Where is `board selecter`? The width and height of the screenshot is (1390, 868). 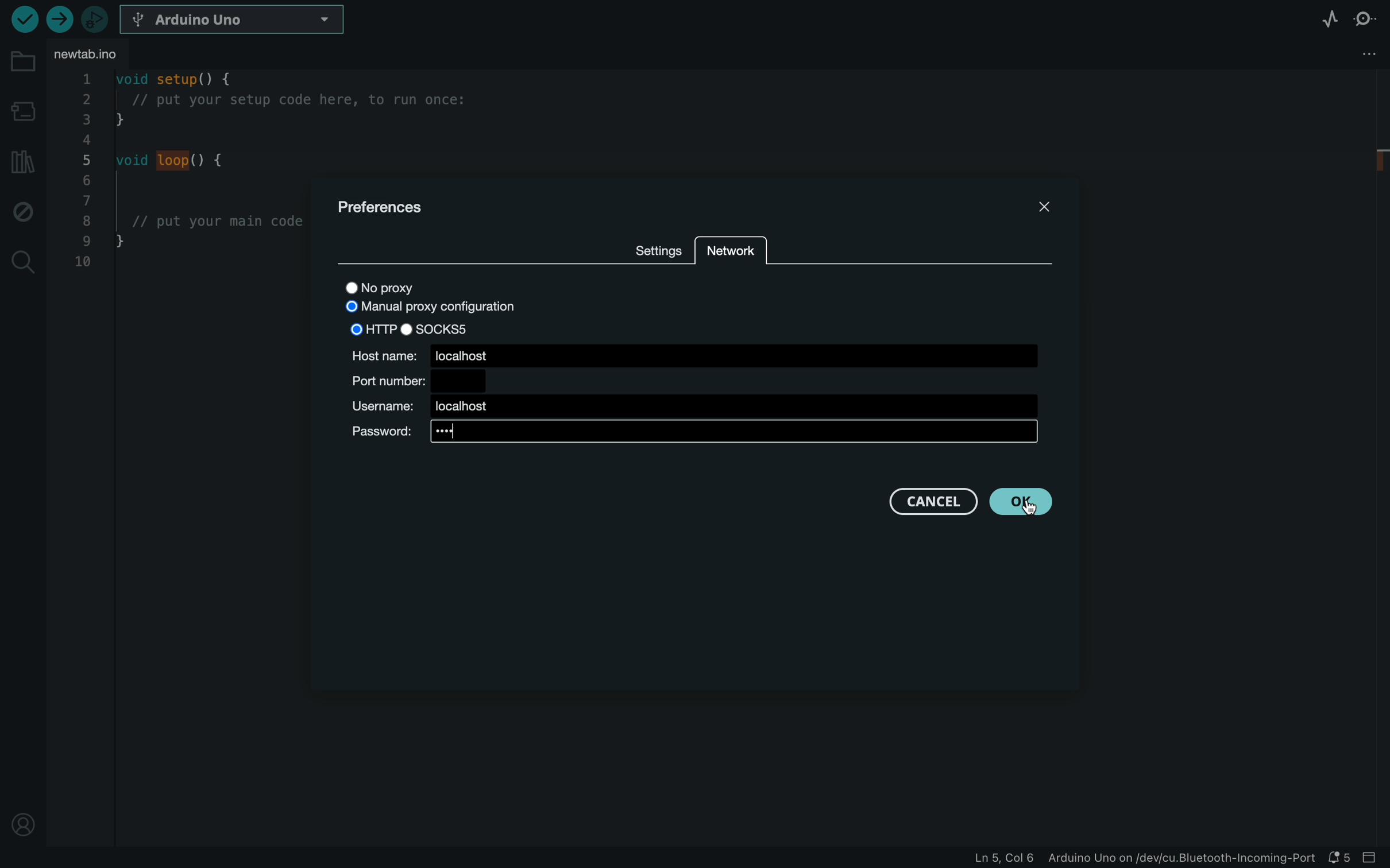
board selecter is located at coordinates (234, 20).